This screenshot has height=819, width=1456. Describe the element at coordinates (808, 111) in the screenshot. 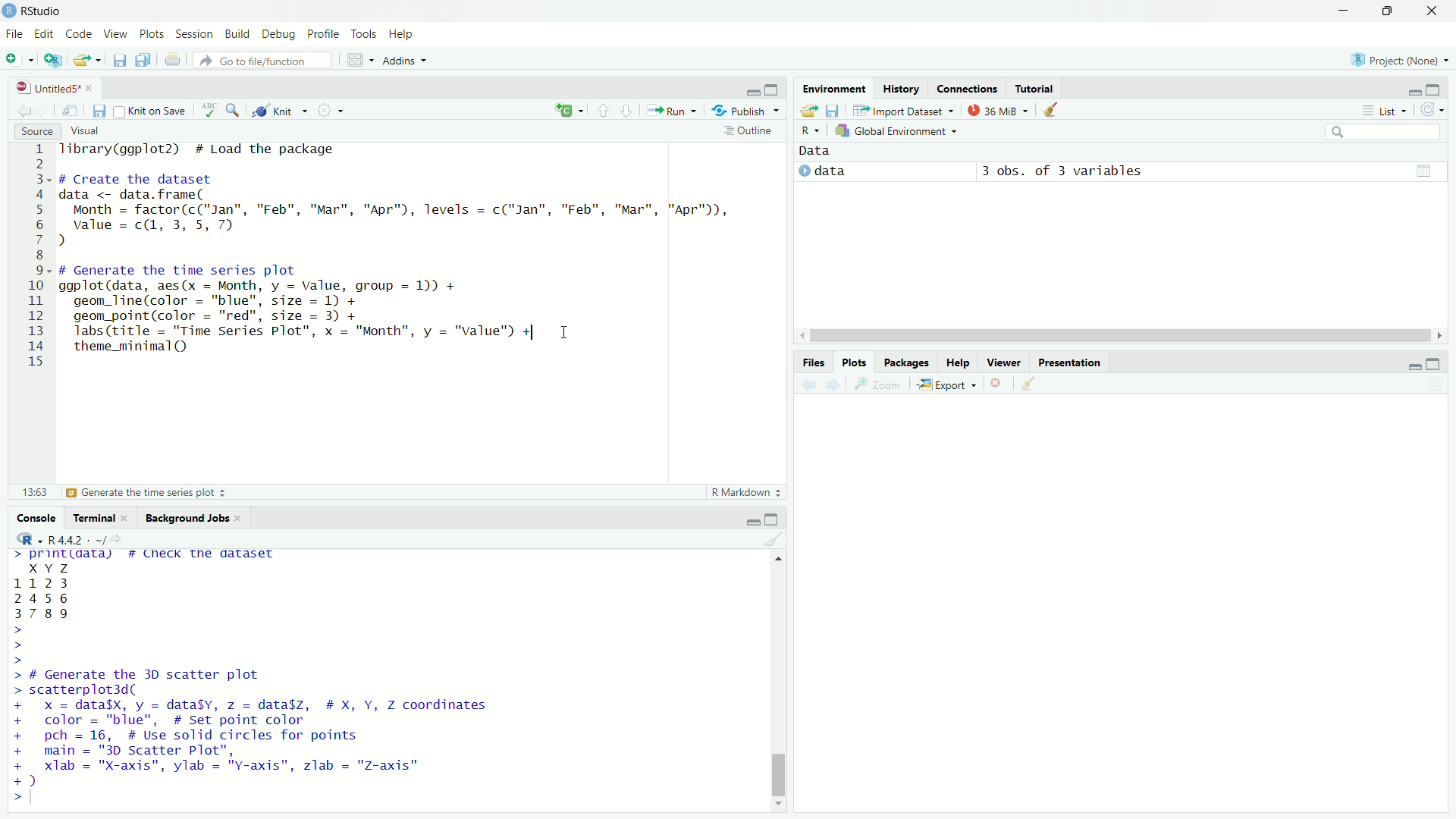

I see `load workspace` at that location.